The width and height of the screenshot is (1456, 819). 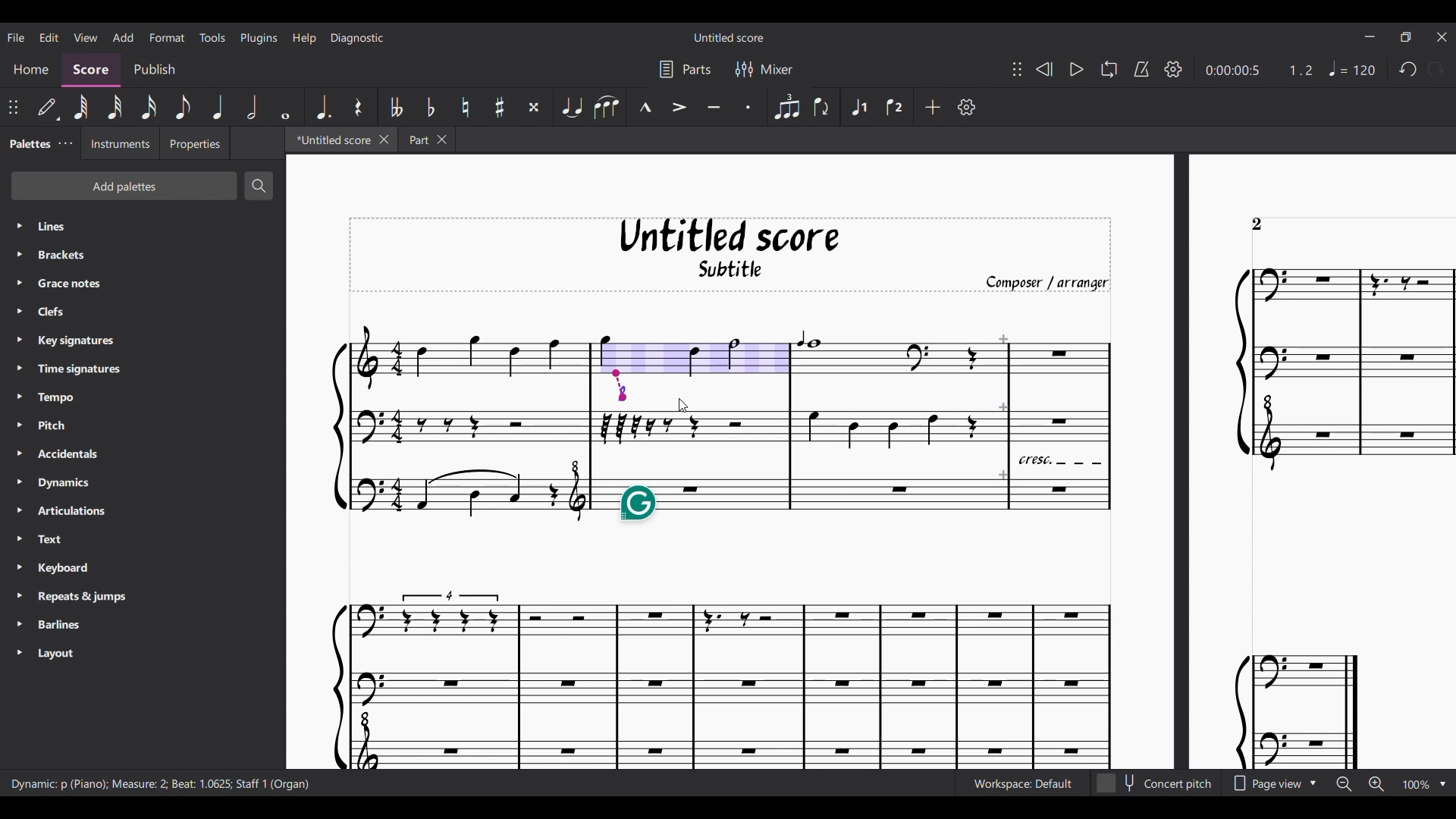 What do you see at coordinates (730, 255) in the screenshot?
I see `Score title, sub-title, and composer name` at bounding box center [730, 255].